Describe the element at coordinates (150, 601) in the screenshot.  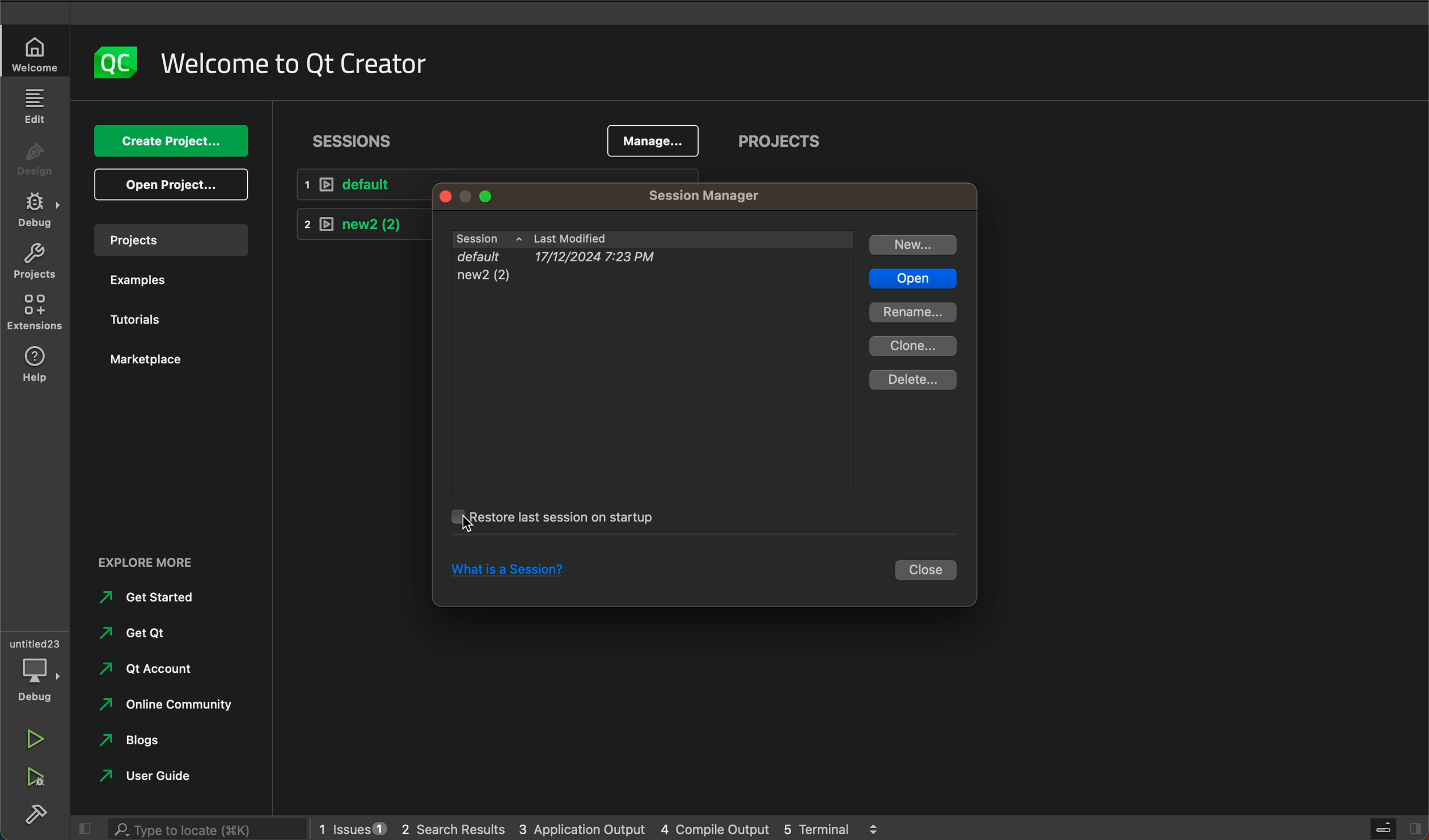
I see `get started` at that location.